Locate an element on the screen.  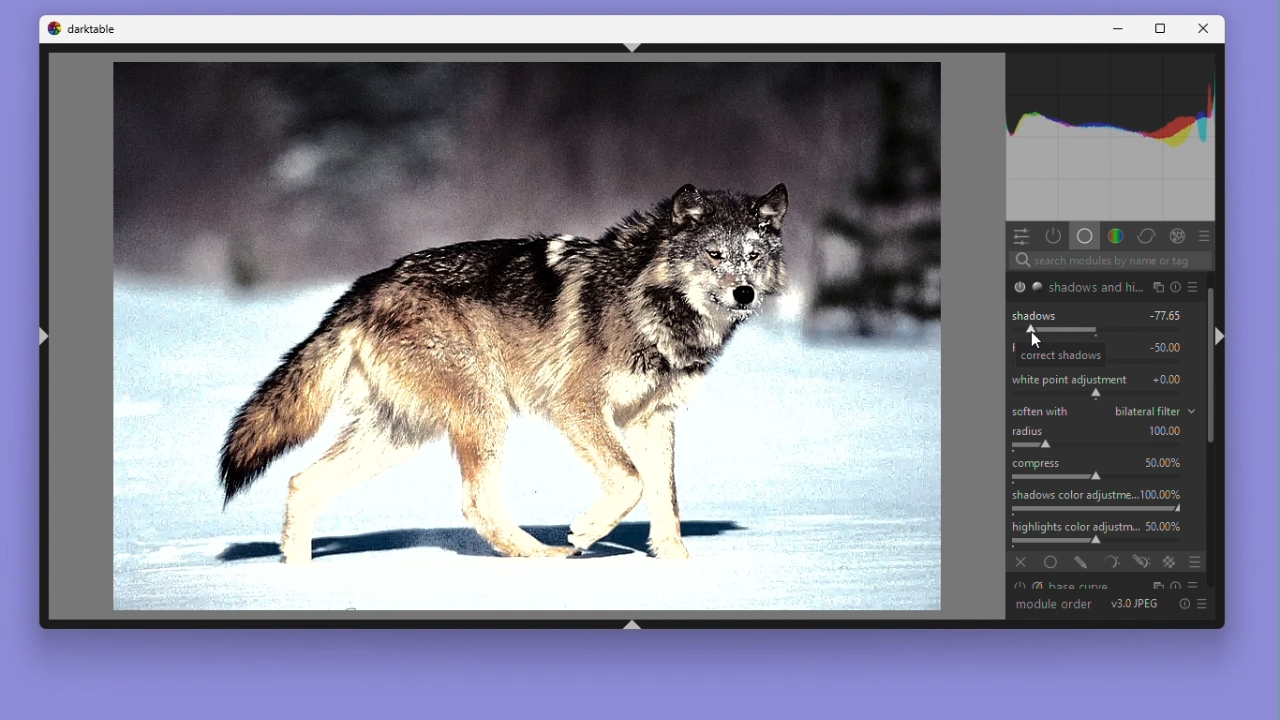
darktable is located at coordinates (106, 29).